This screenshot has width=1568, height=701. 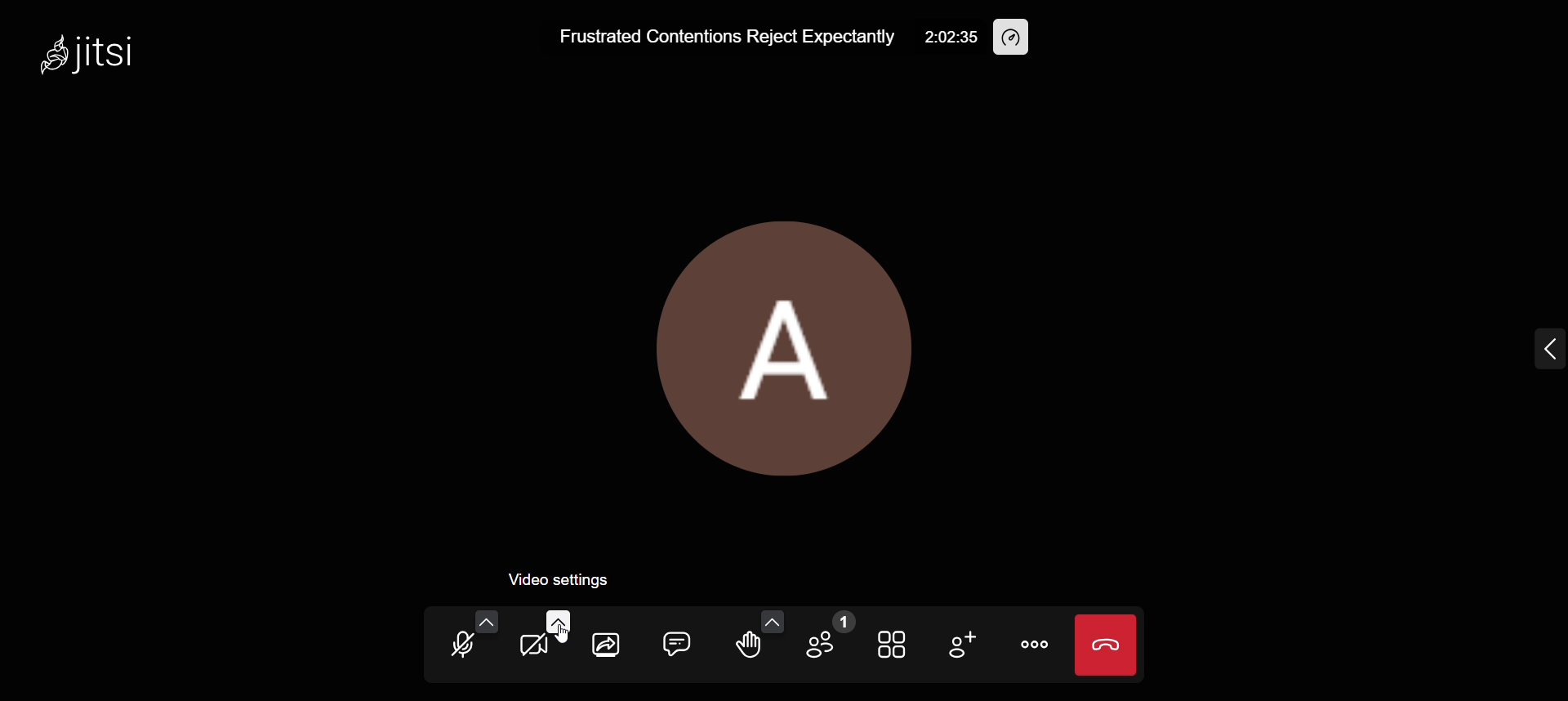 I want to click on 2:02:35, so click(x=951, y=37).